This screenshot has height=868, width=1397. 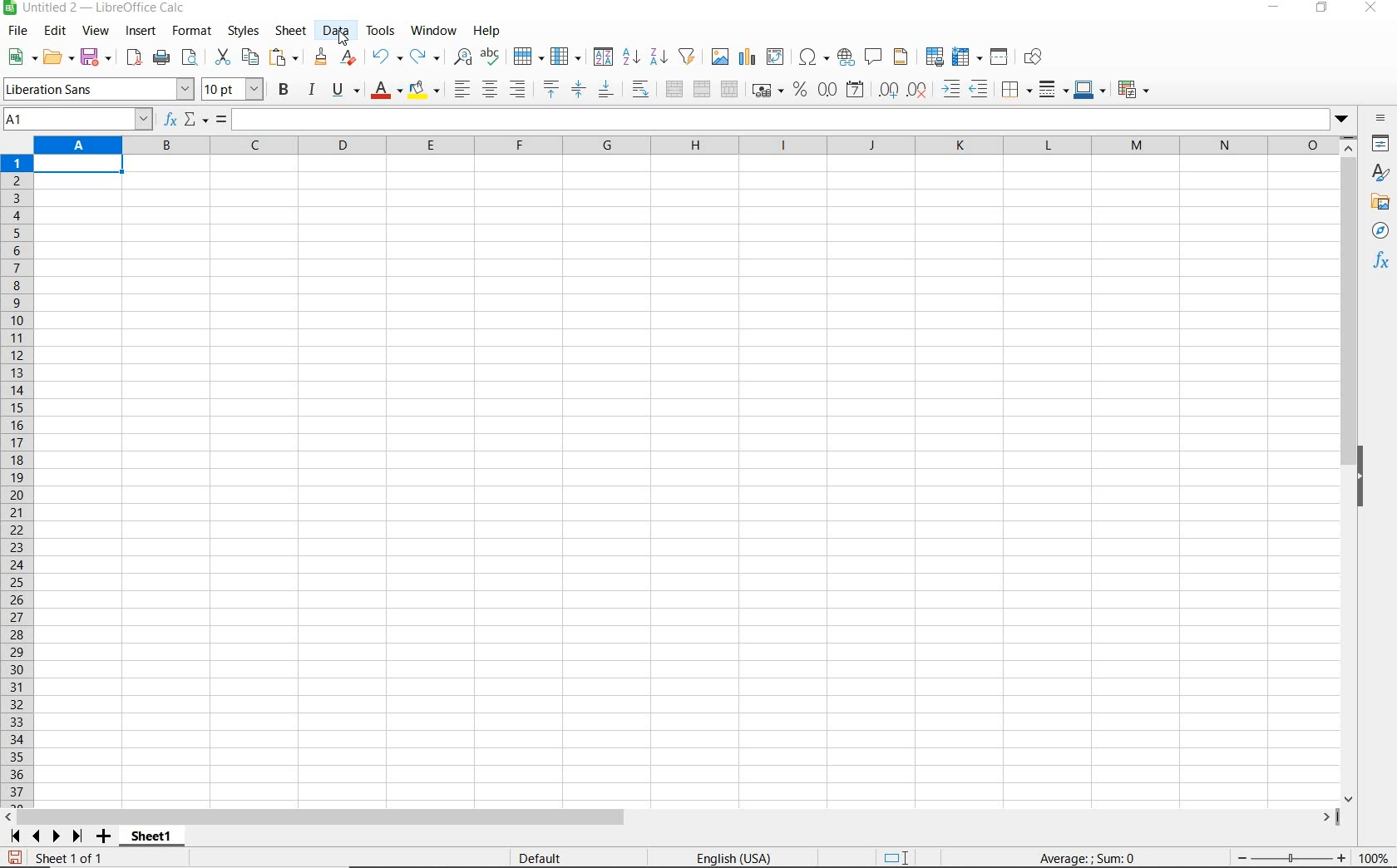 What do you see at coordinates (874, 57) in the screenshot?
I see `insert comment ` at bounding box center [874, 57].